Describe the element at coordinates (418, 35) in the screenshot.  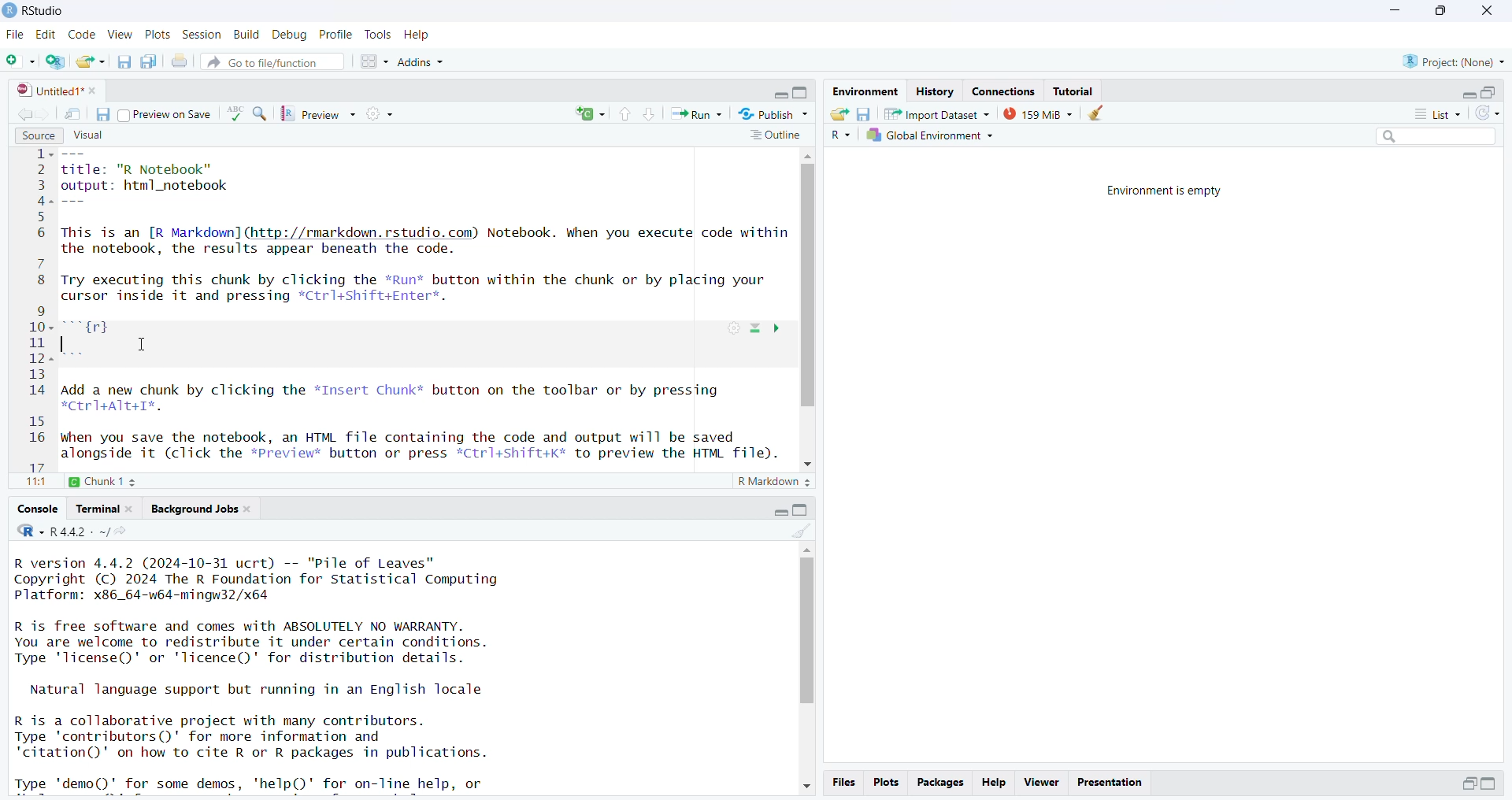
I see `help` at that location.